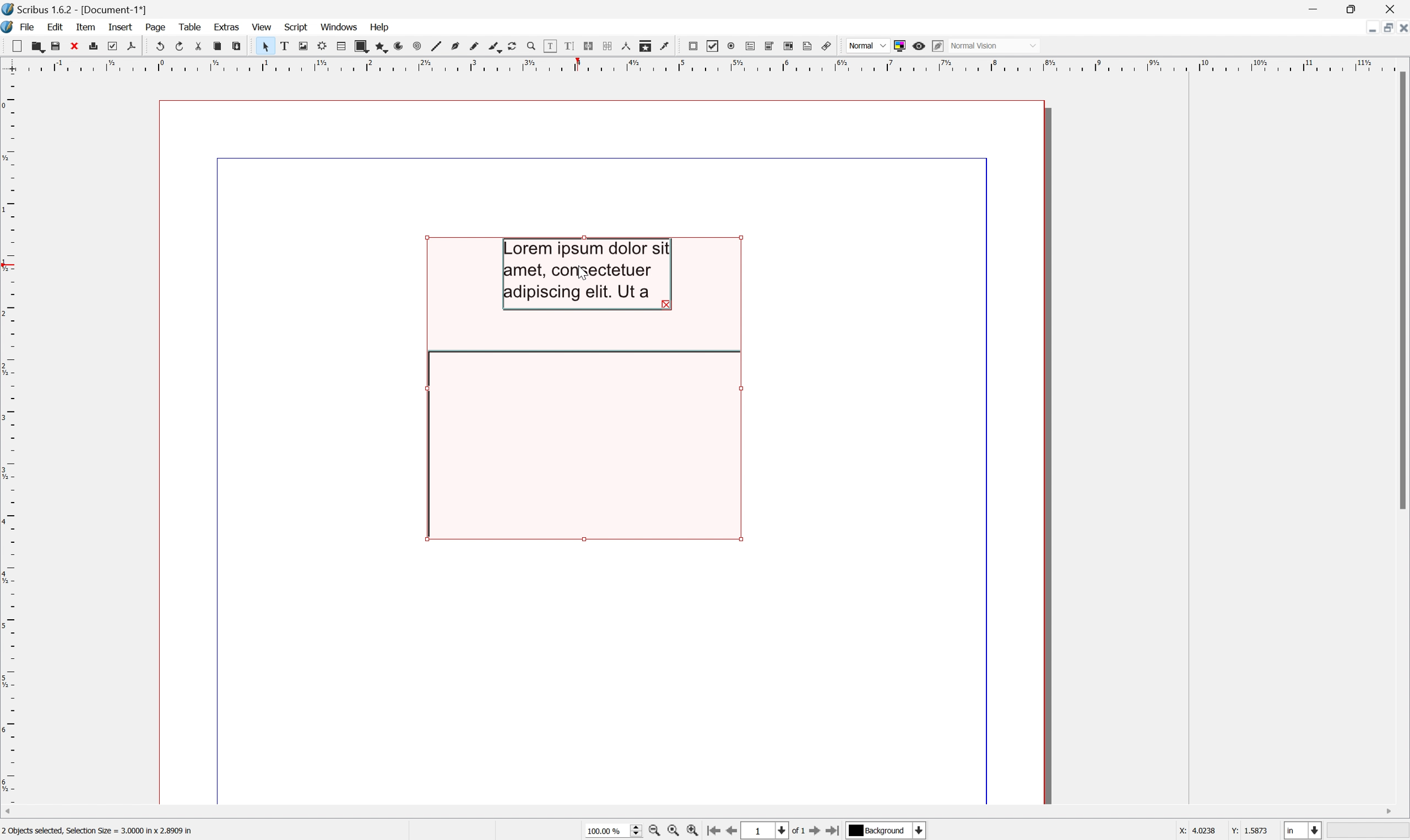  I want to click on Go to the previous page, so click(735, 830).